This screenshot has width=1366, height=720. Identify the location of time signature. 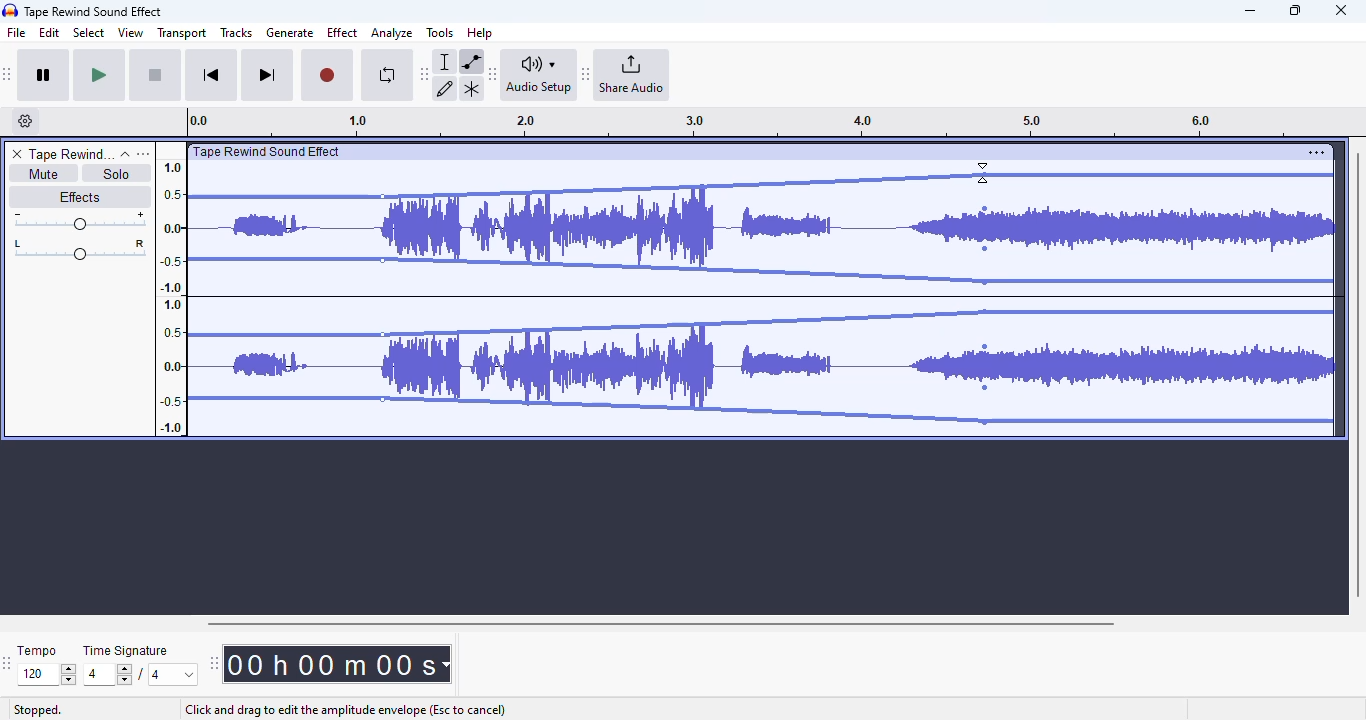
(126, 651).